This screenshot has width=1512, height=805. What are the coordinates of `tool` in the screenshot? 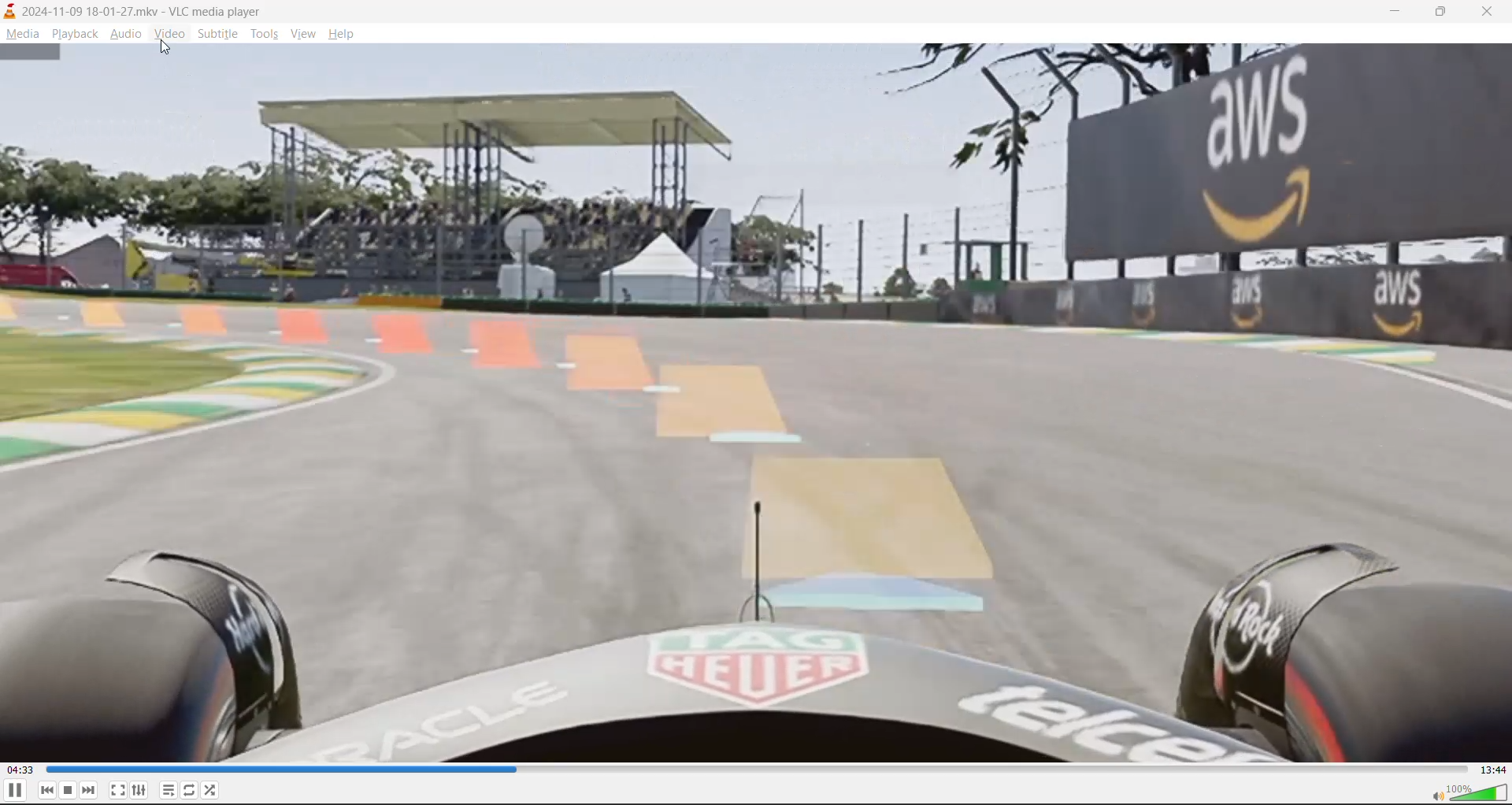 It's located at (264, 36).